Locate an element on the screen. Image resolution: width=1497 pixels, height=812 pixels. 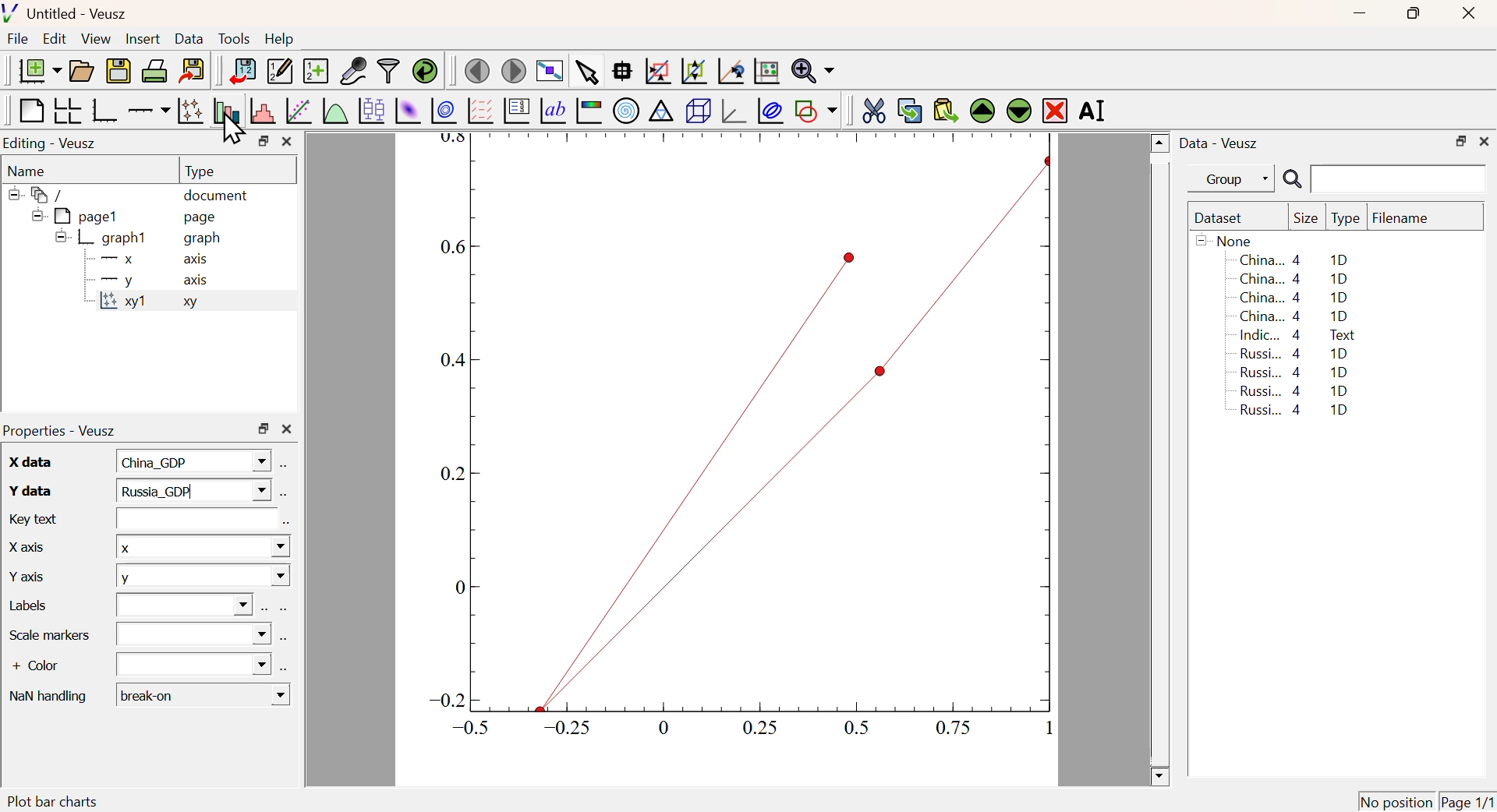
Minimize is located at coordinates (1360, 14).